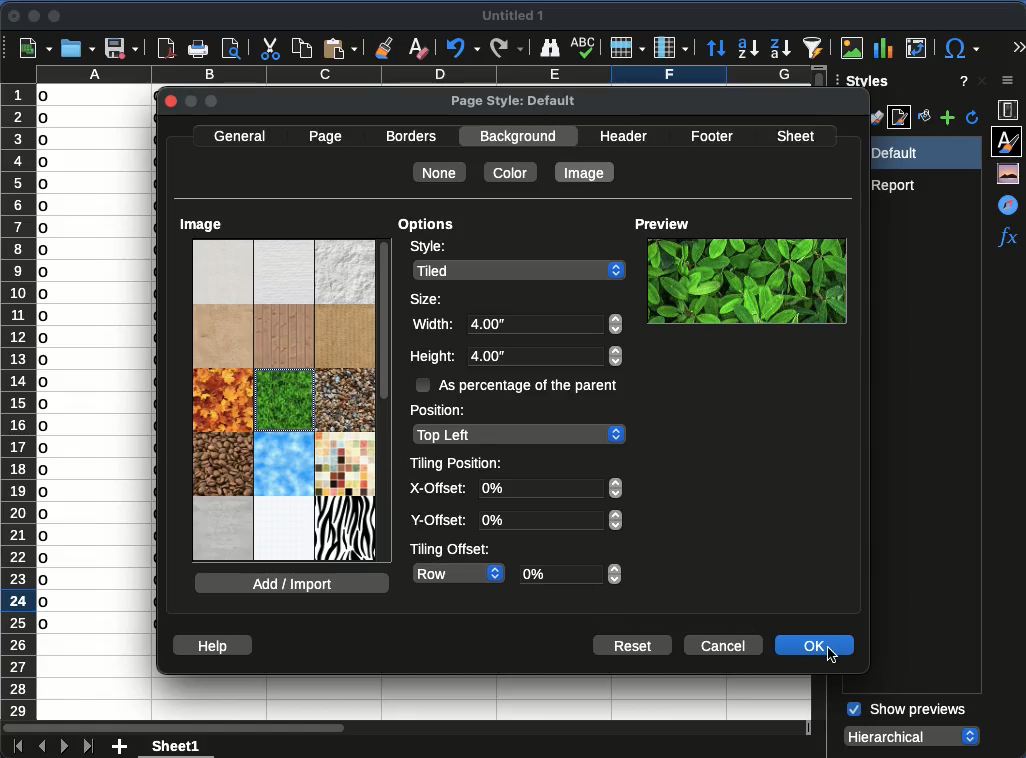 This screenshot has height=758, width=1026. What do you see at coordinates (724, 646) in the screenshot?
I see `cancel` at bounding box center [724, 646].